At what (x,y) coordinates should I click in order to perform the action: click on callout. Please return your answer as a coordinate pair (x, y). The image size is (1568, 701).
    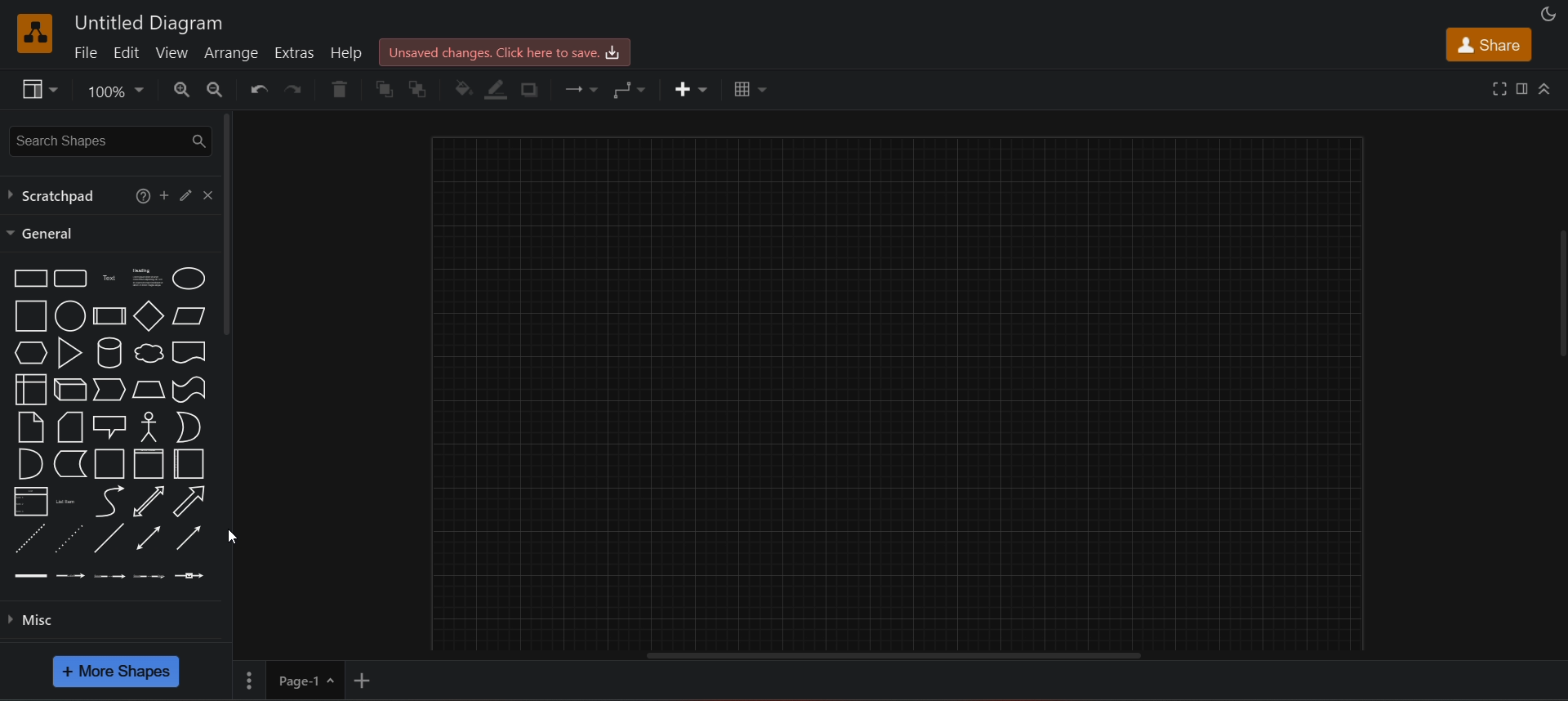
    Looking at the image, I should click on (108, 427).